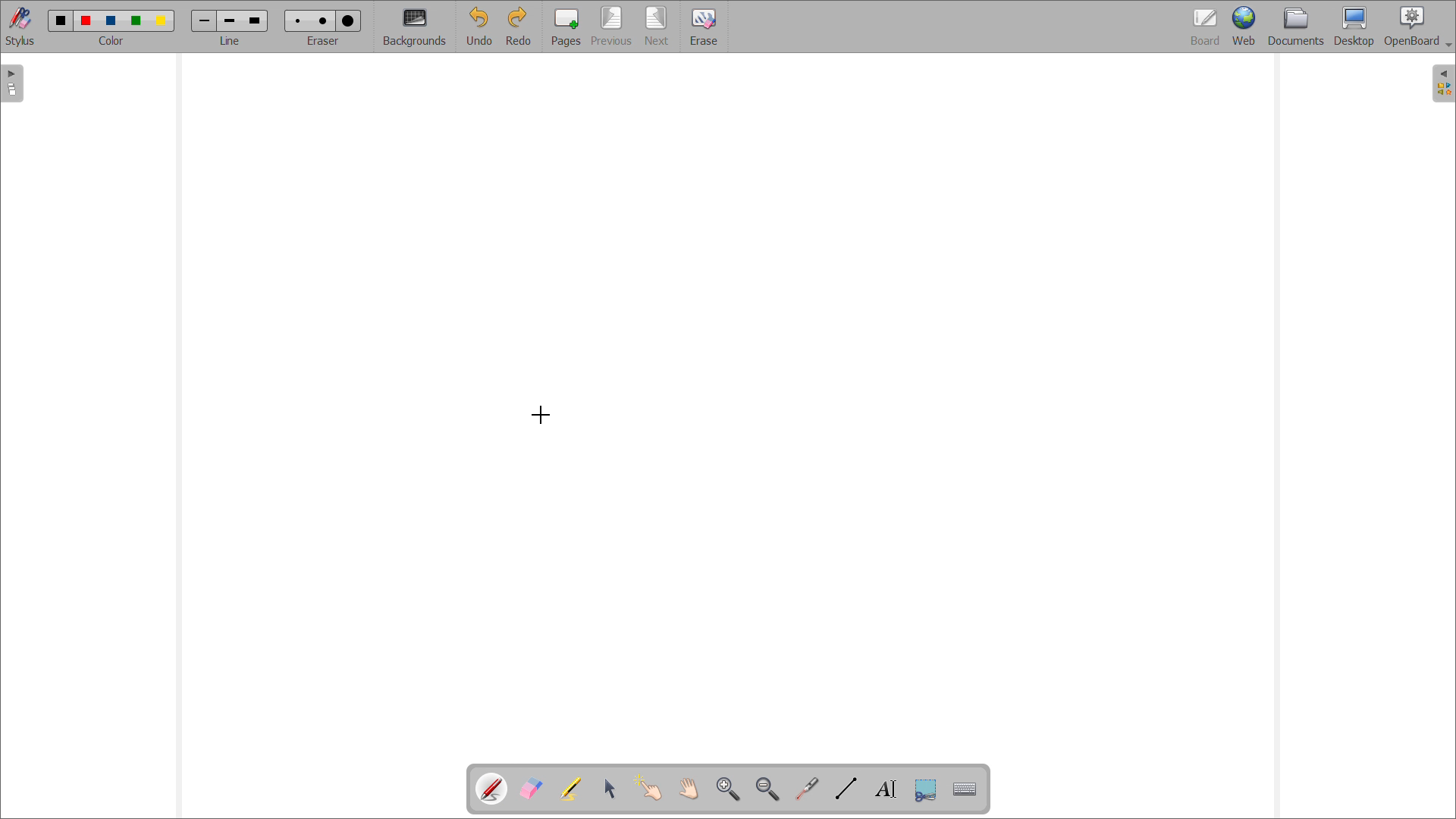 This screenshot has width=1456, height=819. I want to click on highlights, so click(571, 789).